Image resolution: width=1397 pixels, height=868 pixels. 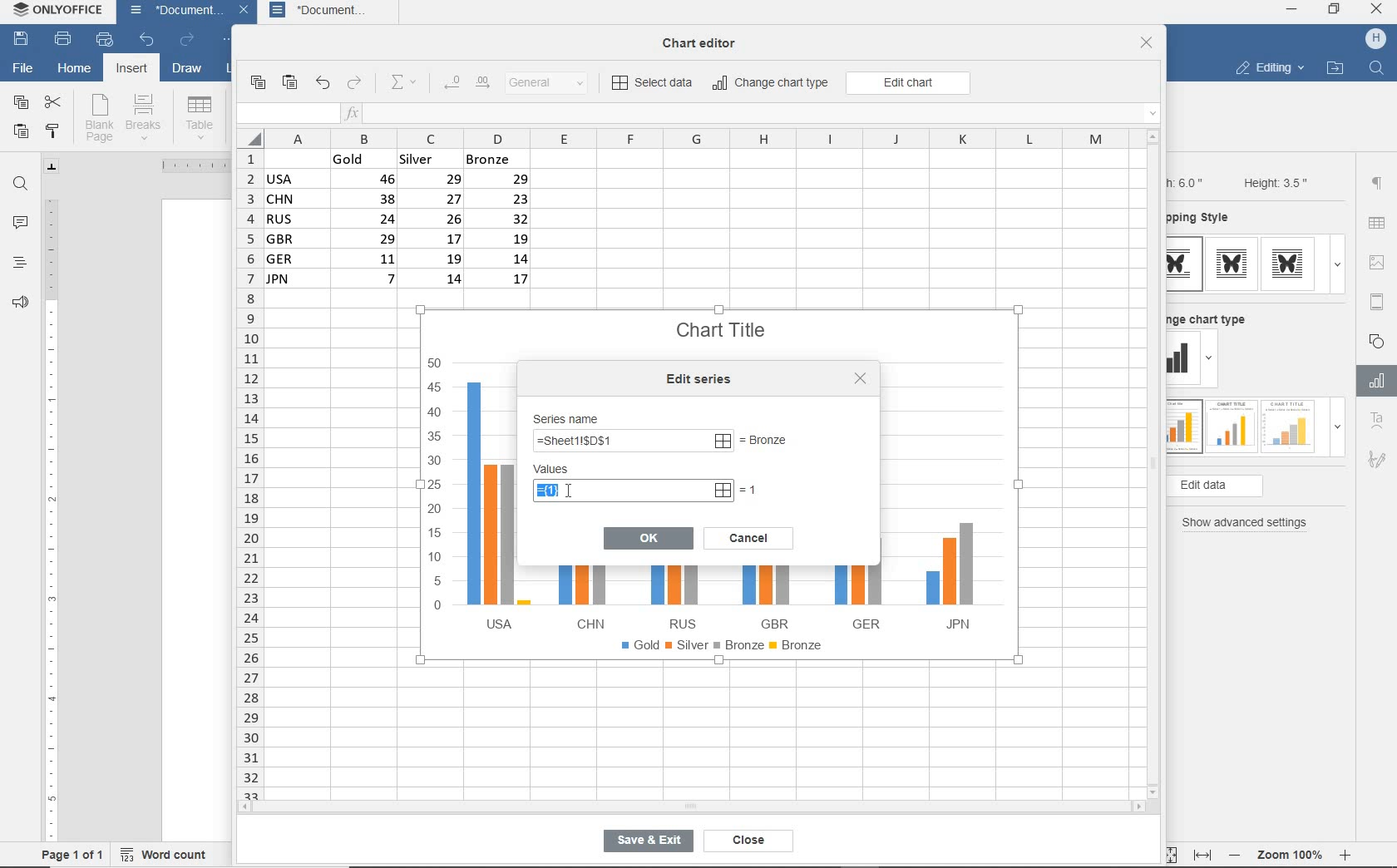 What do you see at coordinates (751, 489) in the screenshot?
I see `=1` at bounding box center [751, 489].